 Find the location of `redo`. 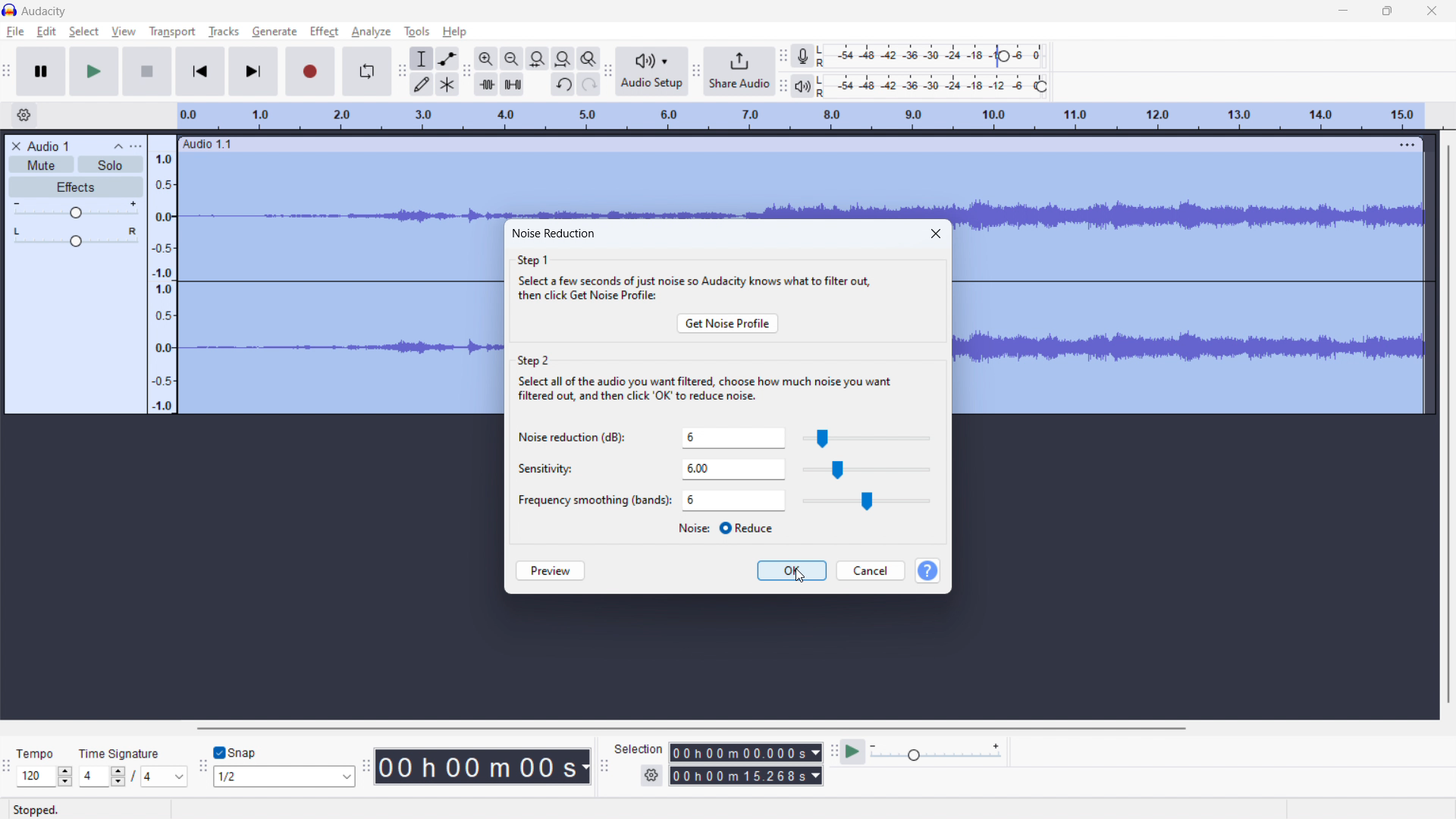

redo is located at coordinates (589, 83).